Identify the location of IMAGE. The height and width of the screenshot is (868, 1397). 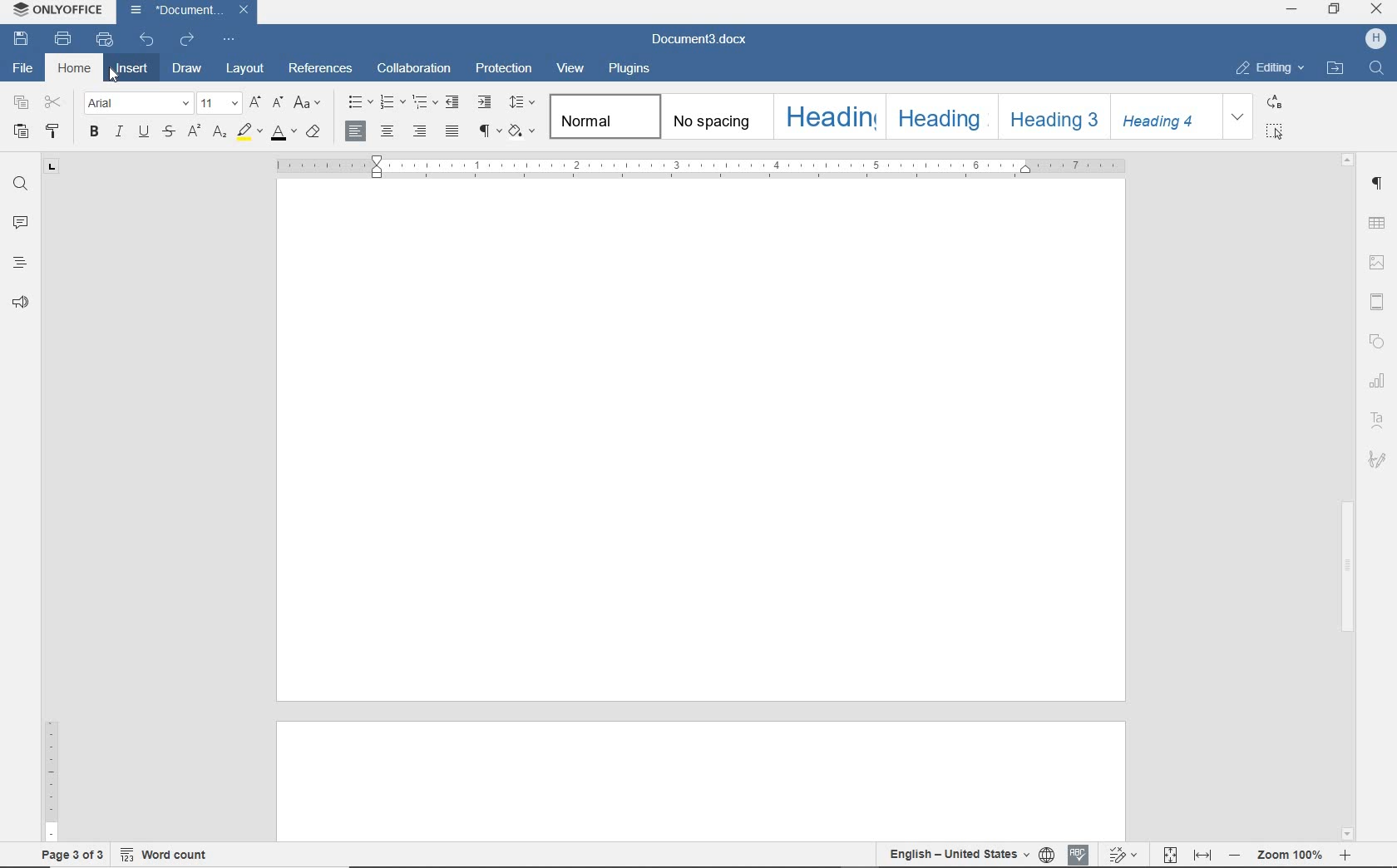
(1379, 264).